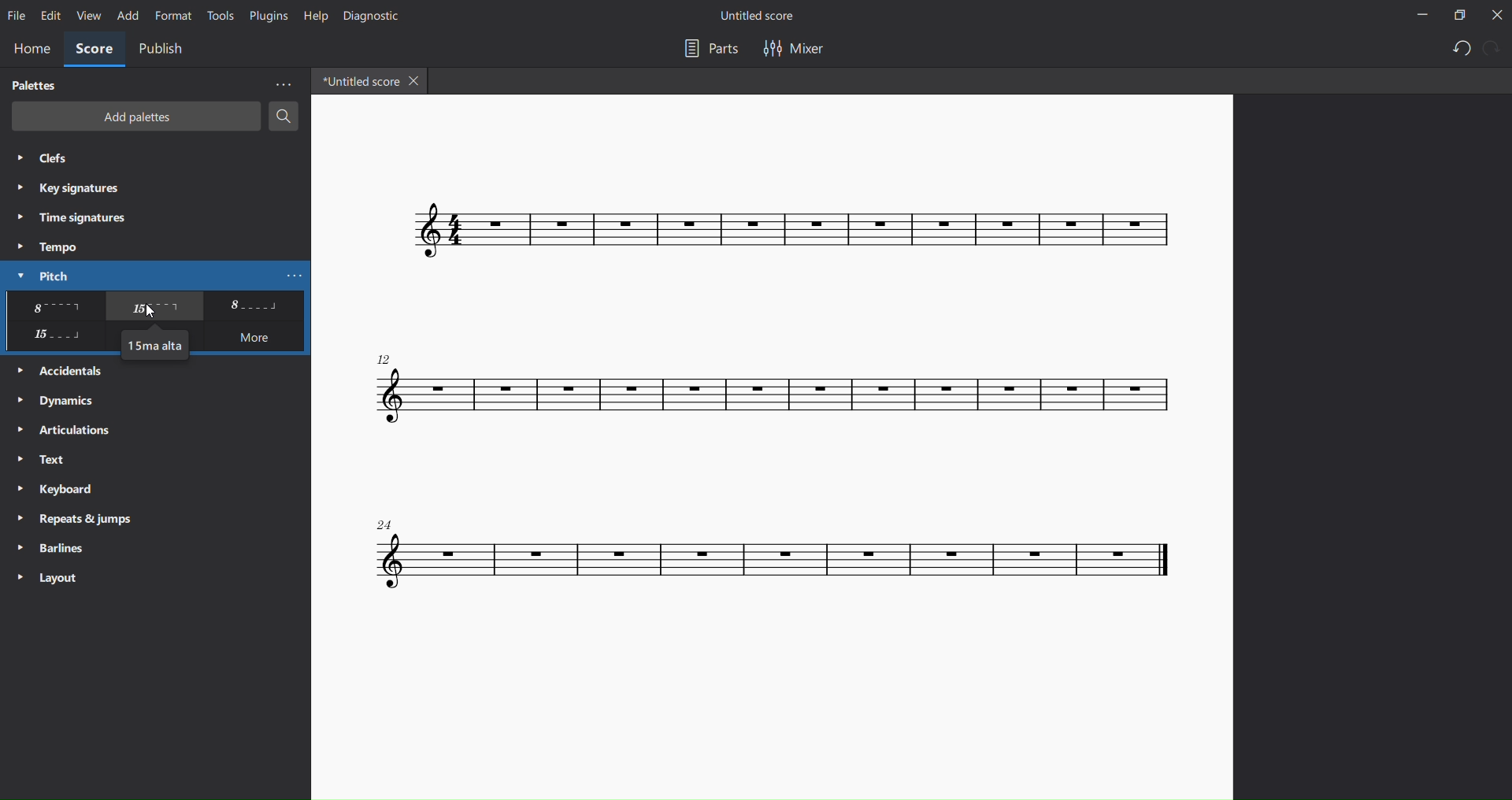  Describe the element at coordinates (47, 160) in the screenshot. I see `clefs` at that location.